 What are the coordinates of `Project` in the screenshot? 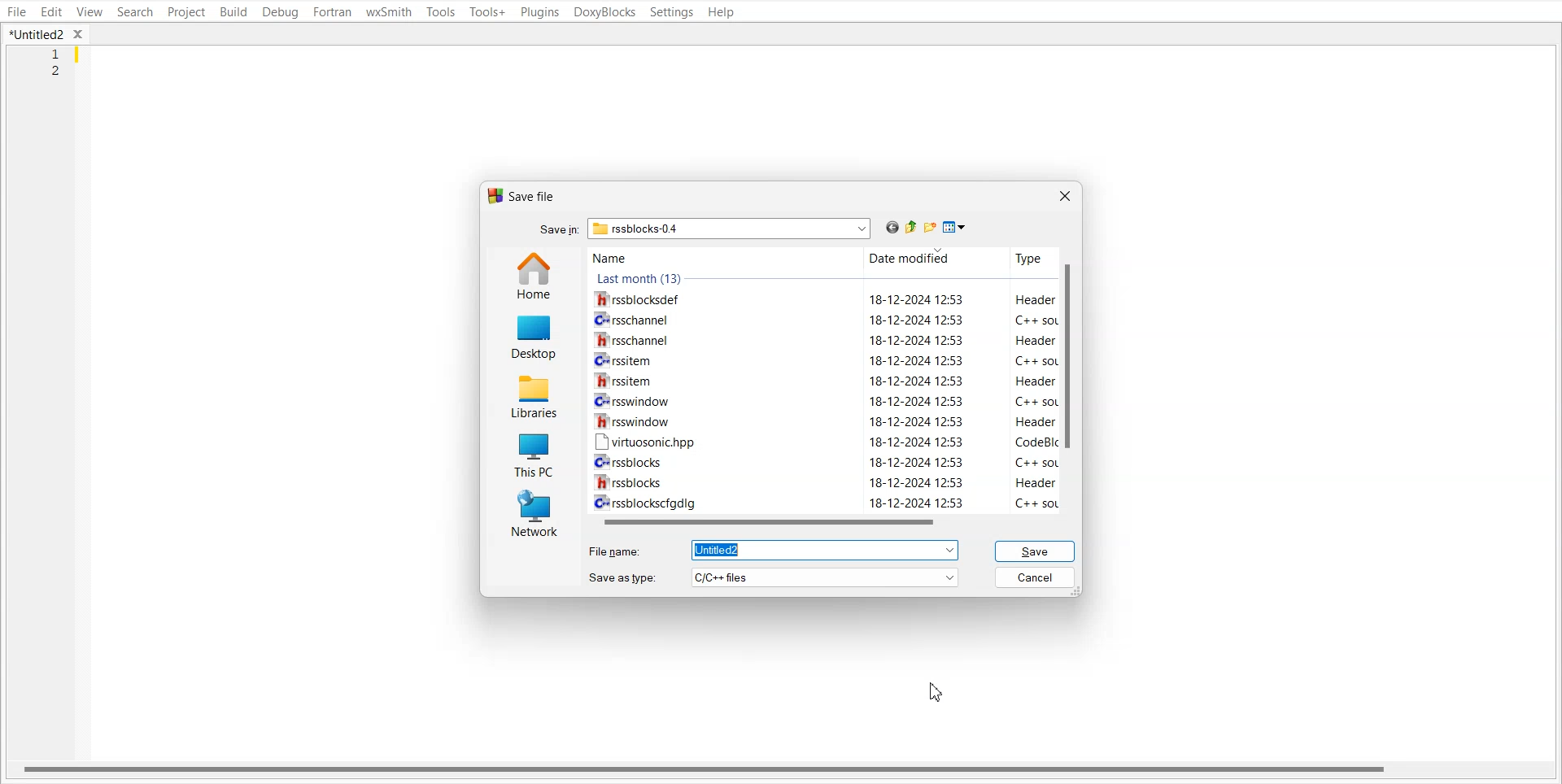 It's located at (185, 11).